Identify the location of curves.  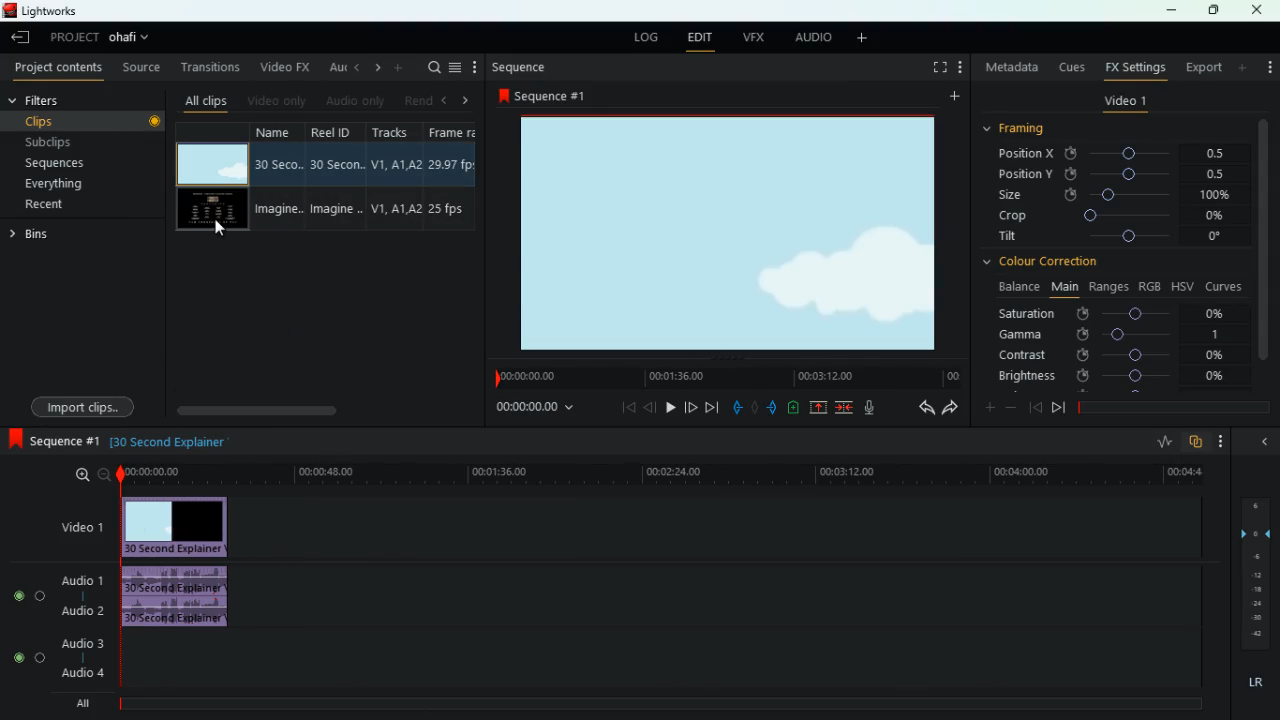
(1226, 285).